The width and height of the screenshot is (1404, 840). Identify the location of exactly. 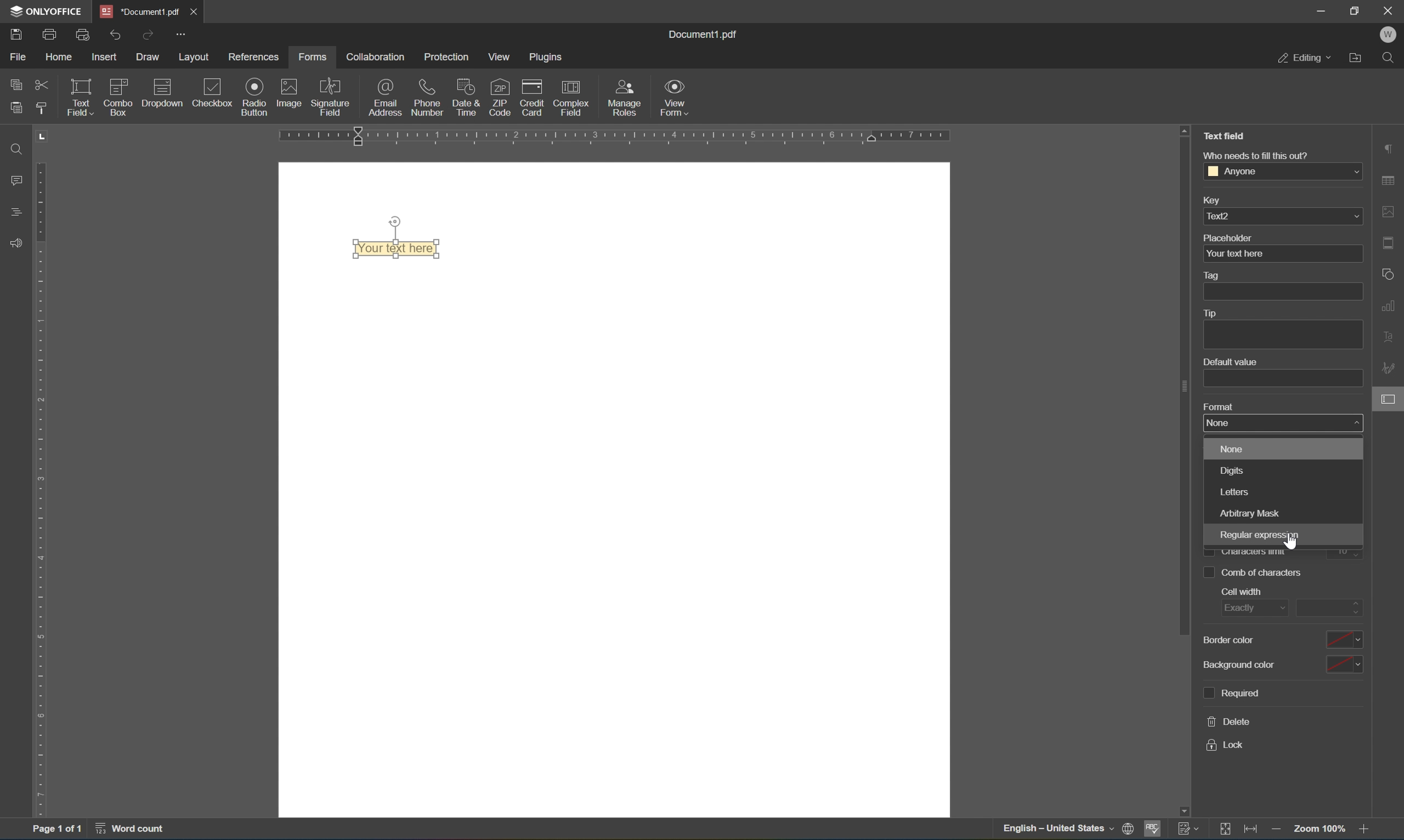
(1252, 610).